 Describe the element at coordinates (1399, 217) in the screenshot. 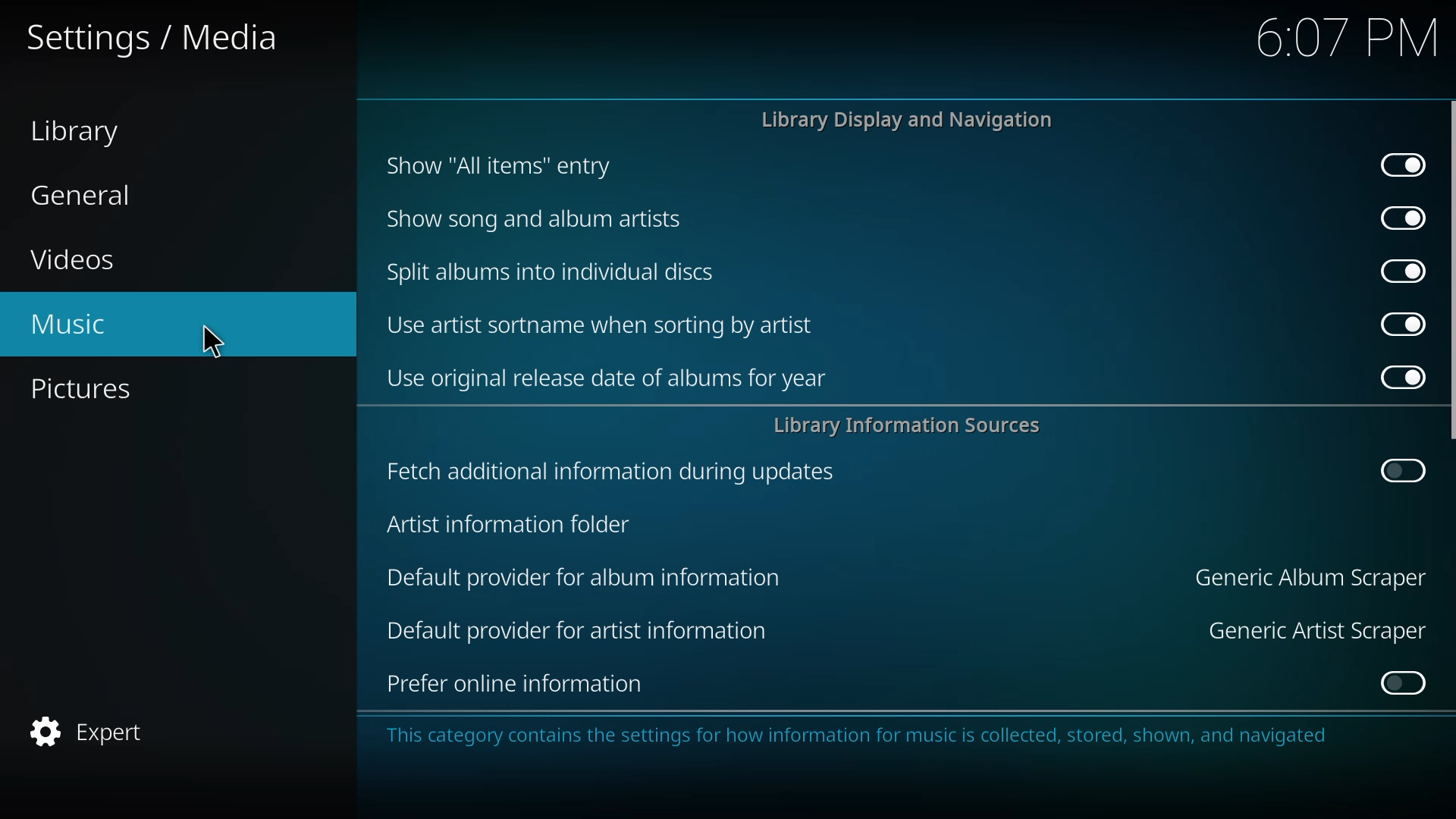

I see `enabled` at that location.